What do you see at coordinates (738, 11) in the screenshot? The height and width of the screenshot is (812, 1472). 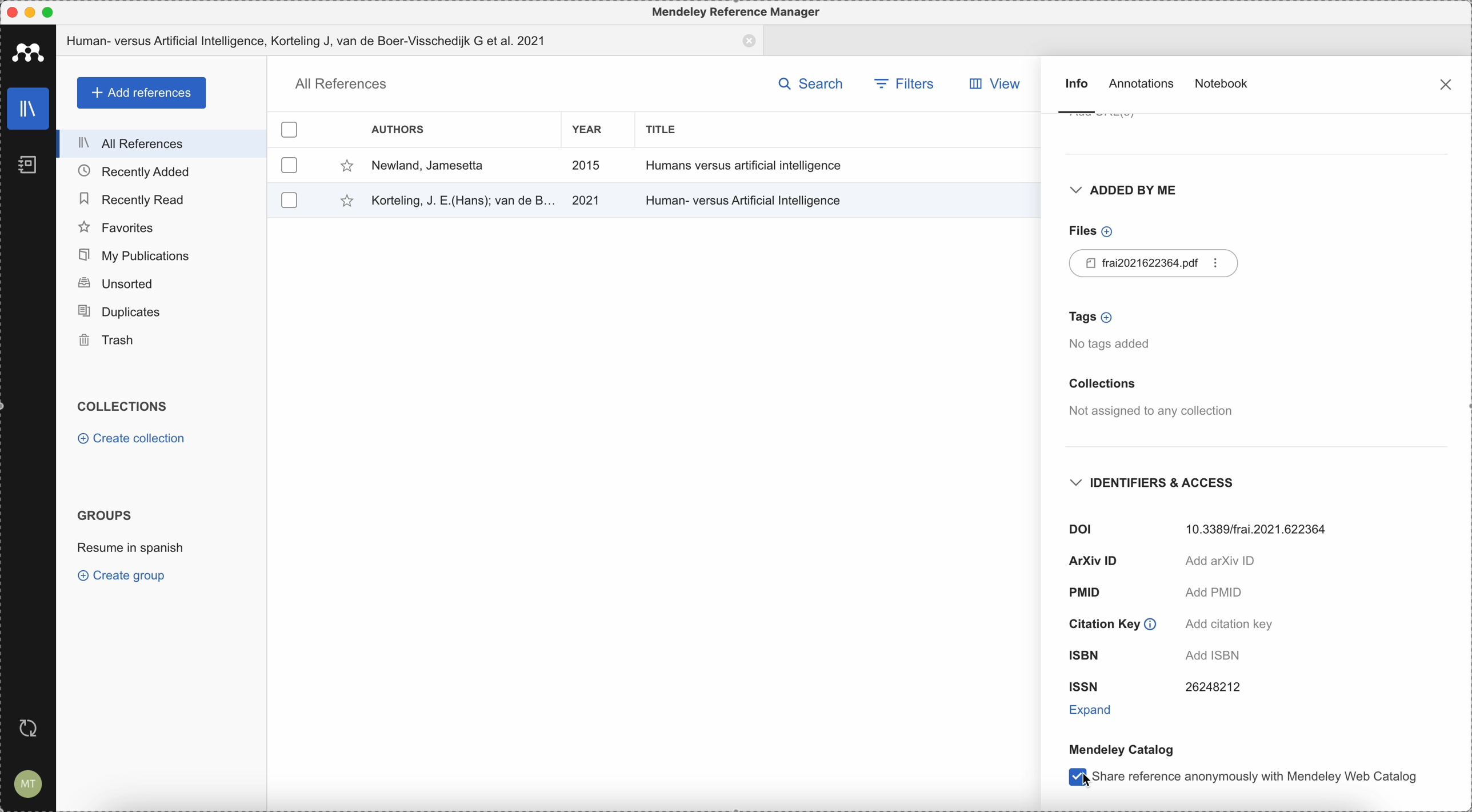 I see `Mendeley Reference Manager` at bounding box center [738, 11].